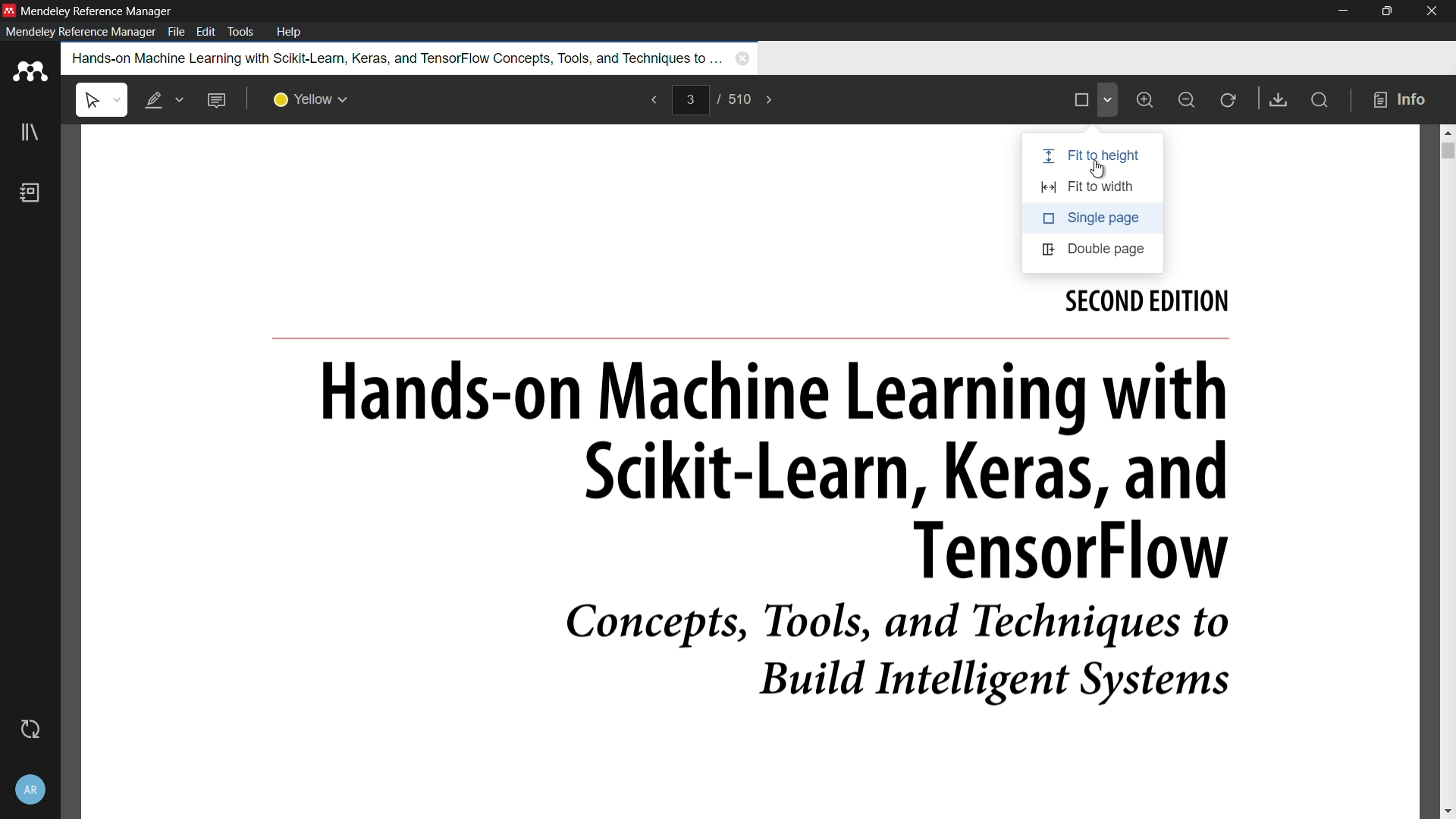  I want to click on next page, so click(770, 100).